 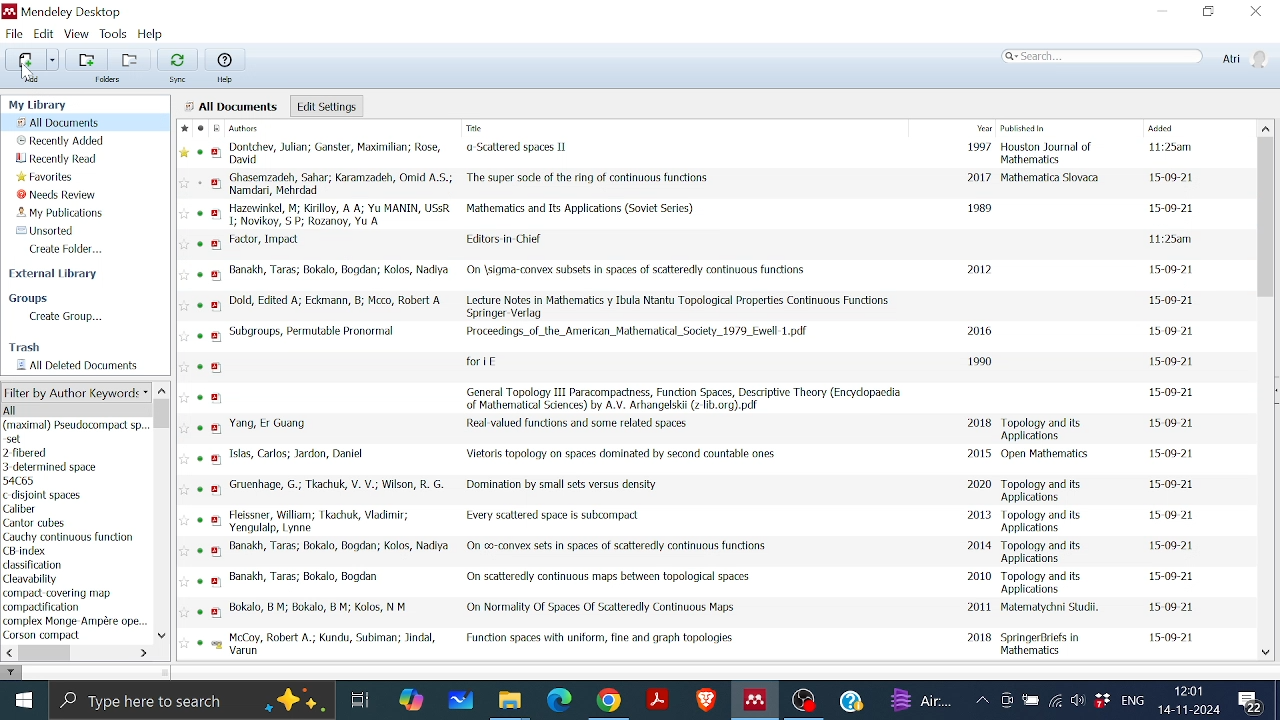 I want to click on Internet access, so click(x=1056, y=699).